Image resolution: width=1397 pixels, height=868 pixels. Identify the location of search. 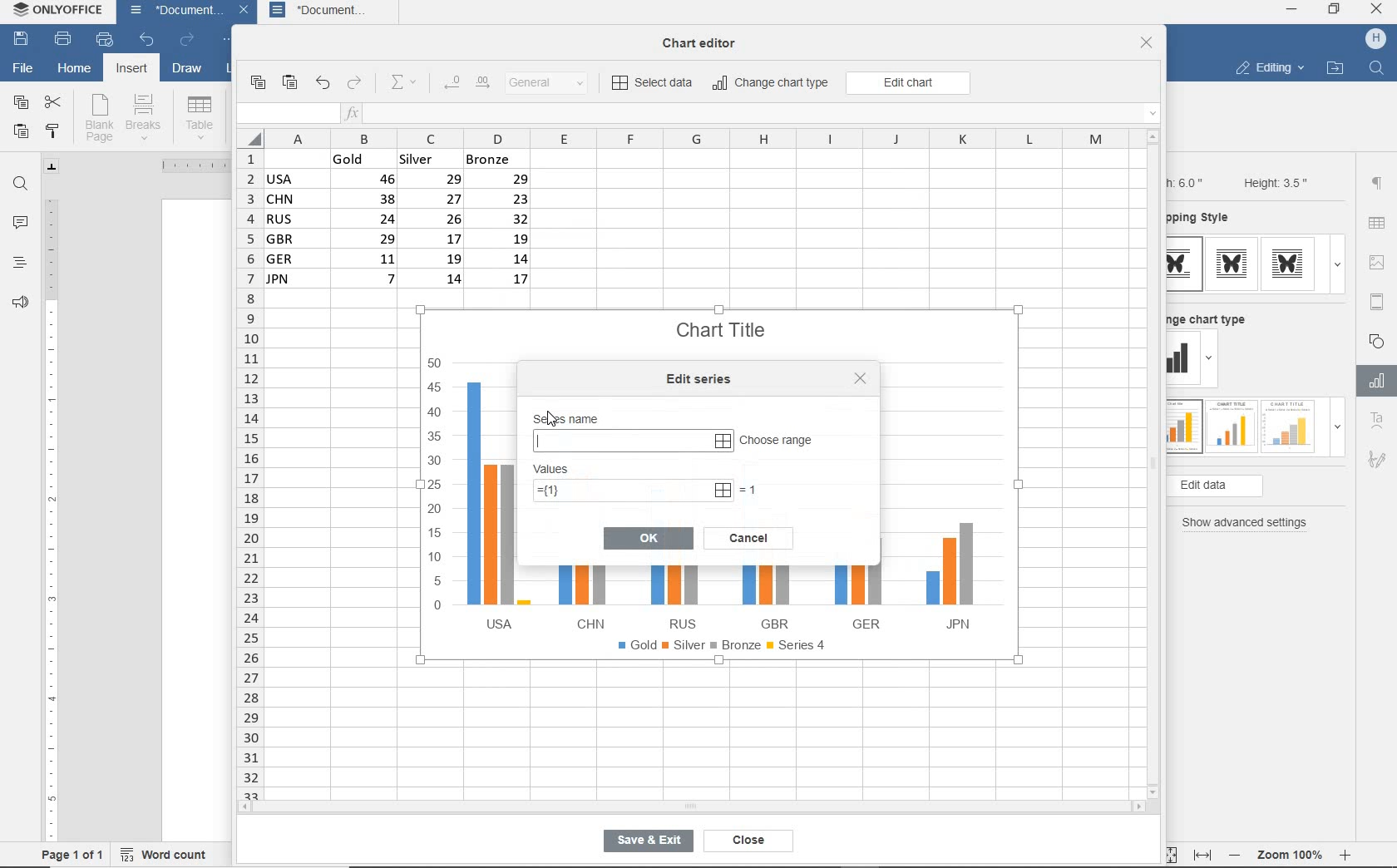
(1379, 67).